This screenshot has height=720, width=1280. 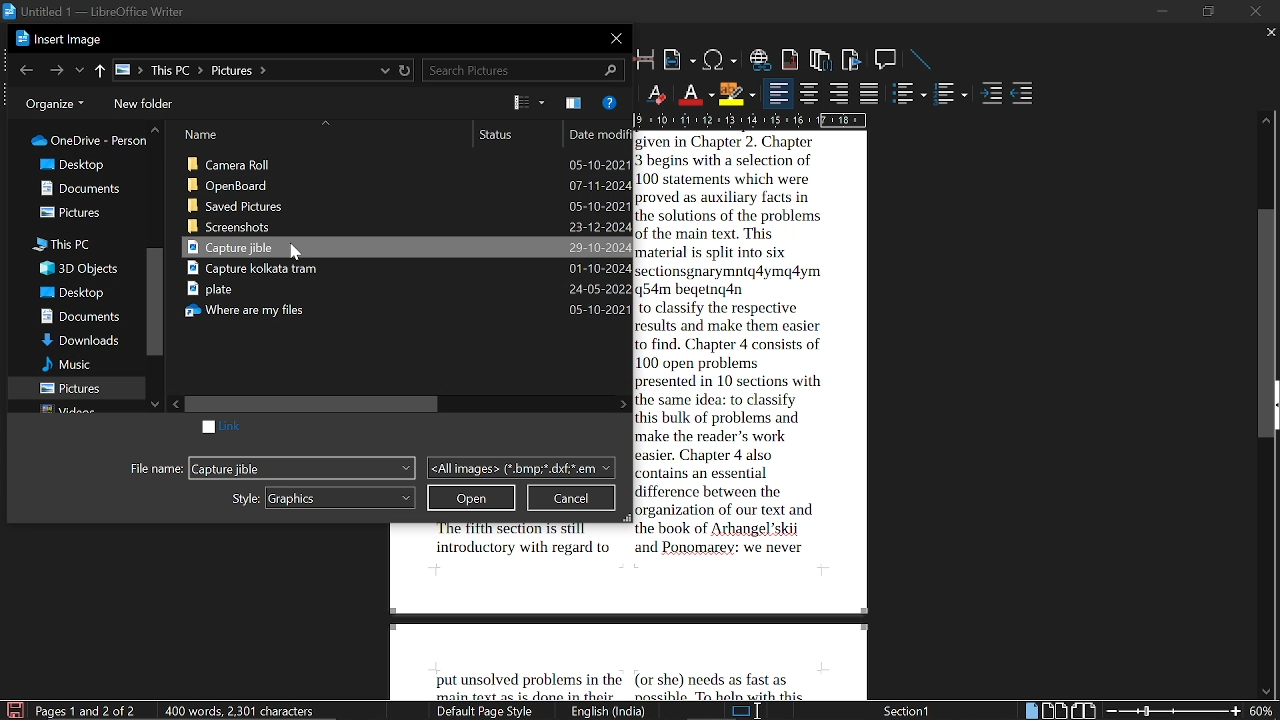 I want to click on previous location, so click(x=79, y=70).